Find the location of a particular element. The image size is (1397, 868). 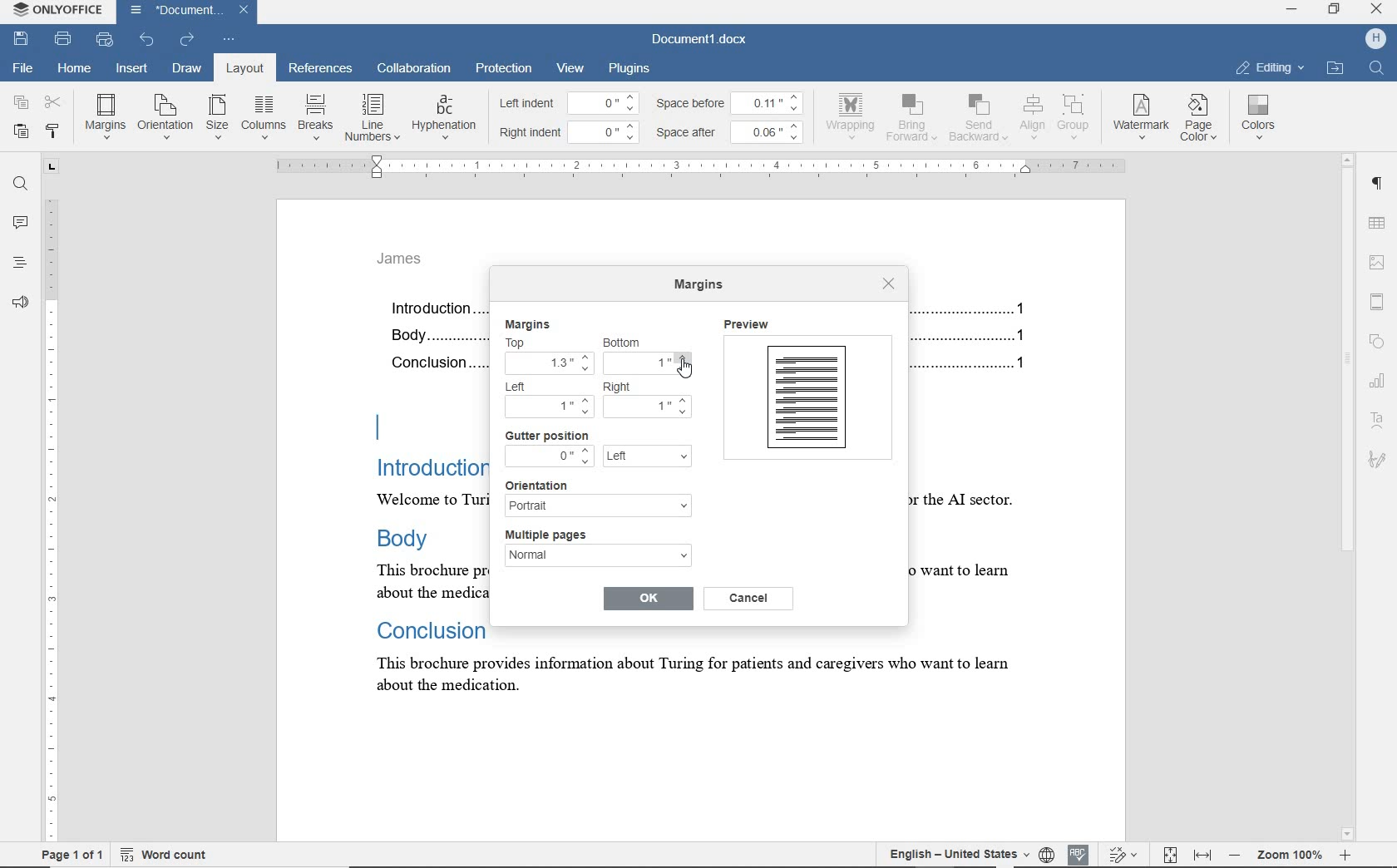

size is located at coordinates (217, 118).